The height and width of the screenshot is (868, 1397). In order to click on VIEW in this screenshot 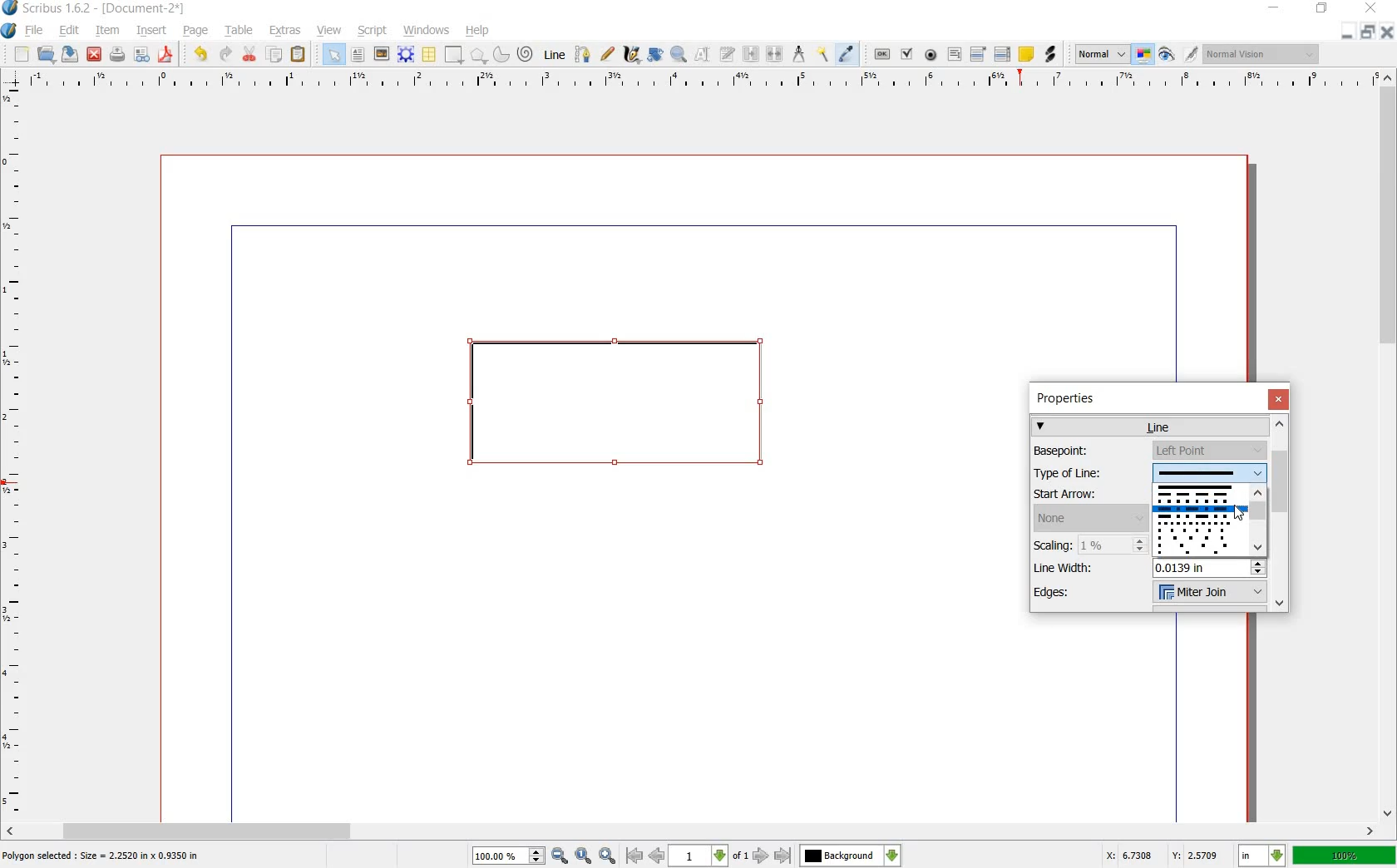, I will do `click(328, 32)`.